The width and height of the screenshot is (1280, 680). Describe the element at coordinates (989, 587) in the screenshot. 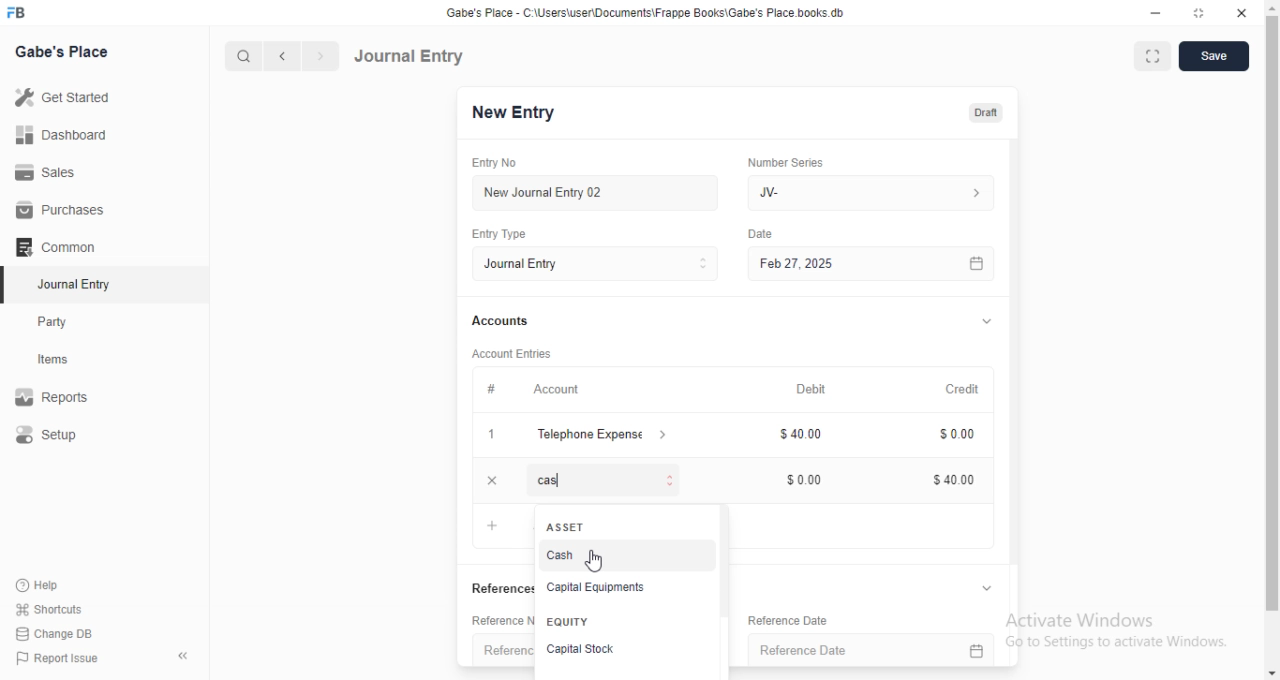

I see `Hide` at that location.